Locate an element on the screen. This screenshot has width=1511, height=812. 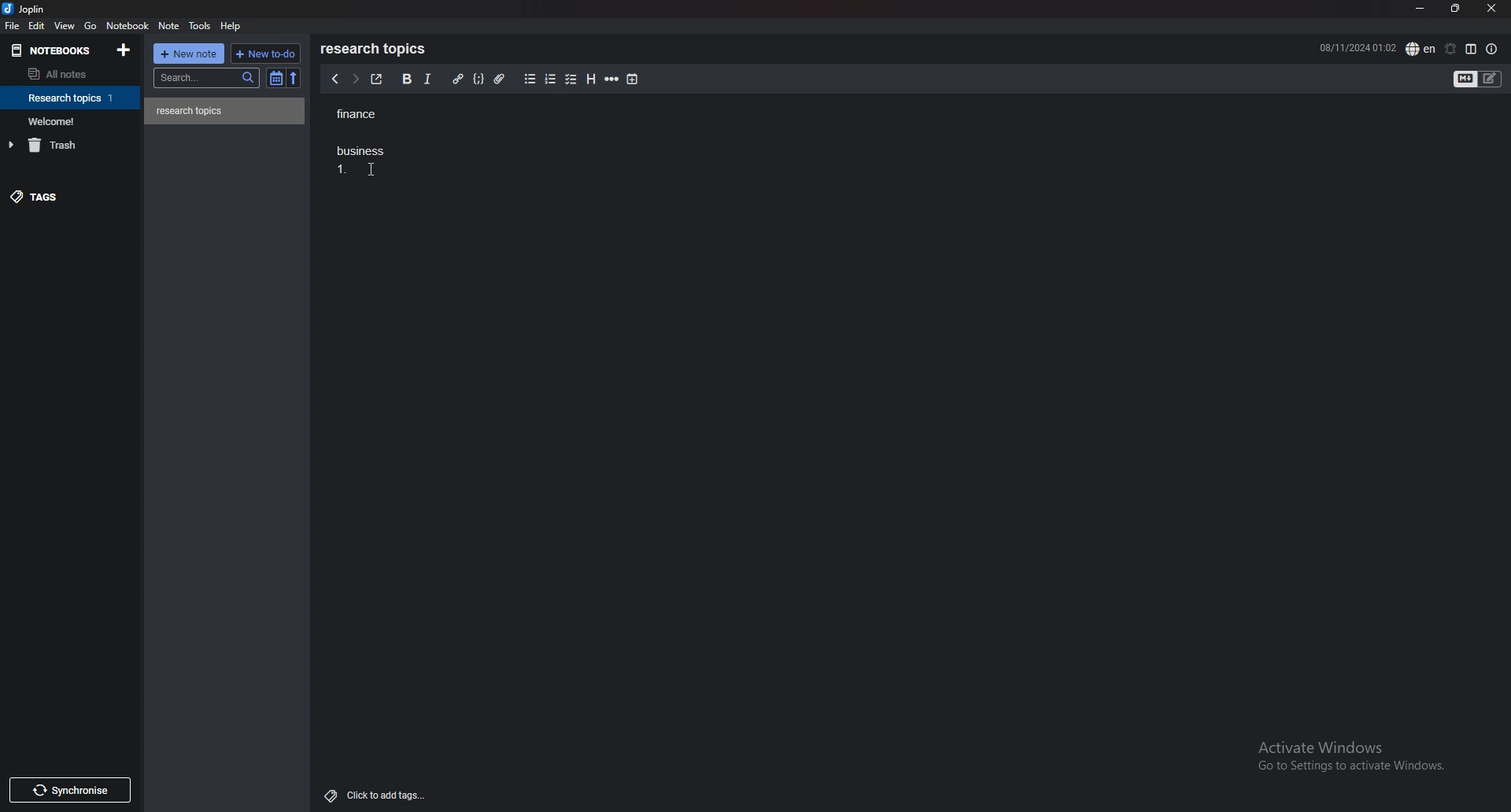
view is located at coordinates (65, 26).